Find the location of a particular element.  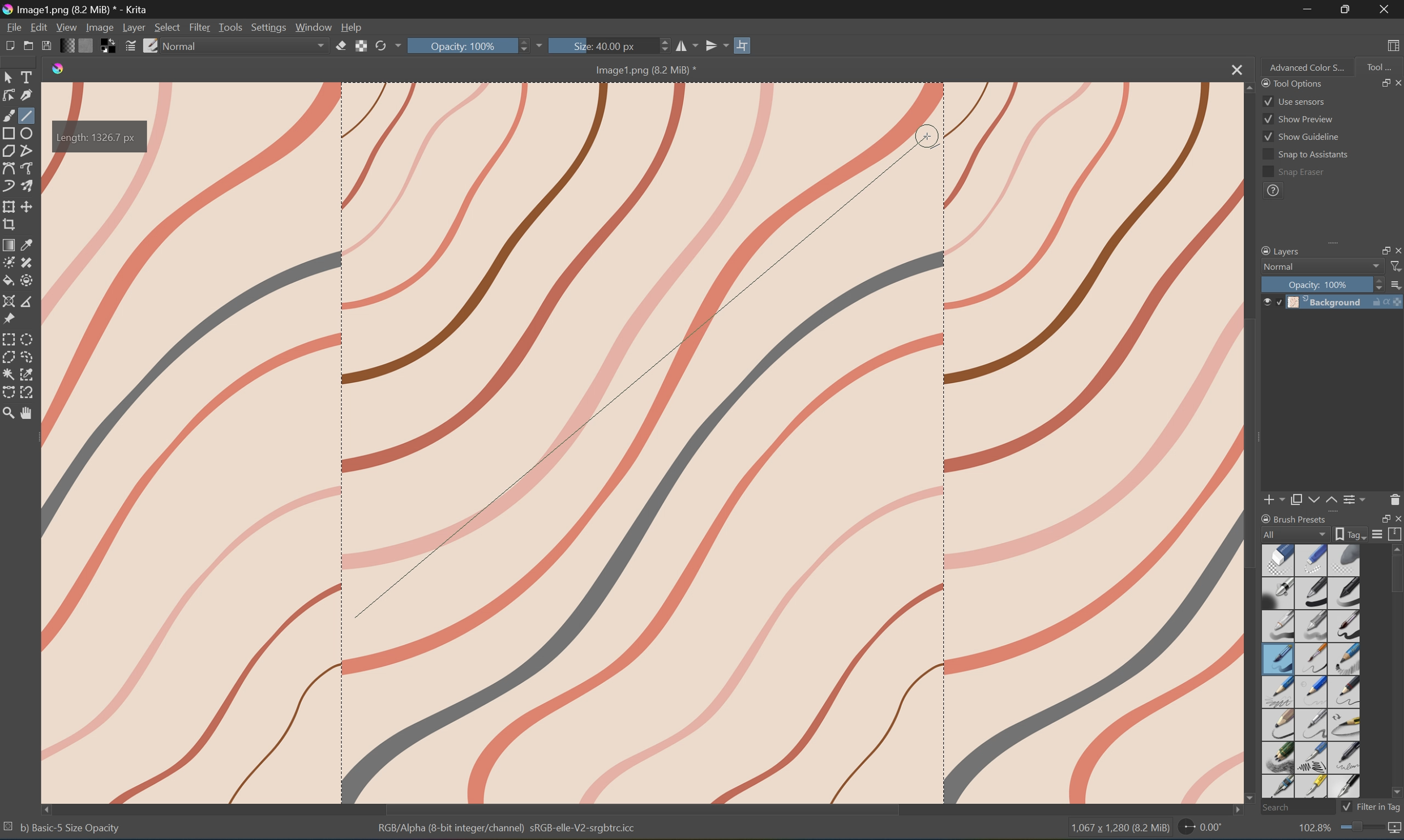

Horizontal mirror tool is located at coordinates (686, 46).